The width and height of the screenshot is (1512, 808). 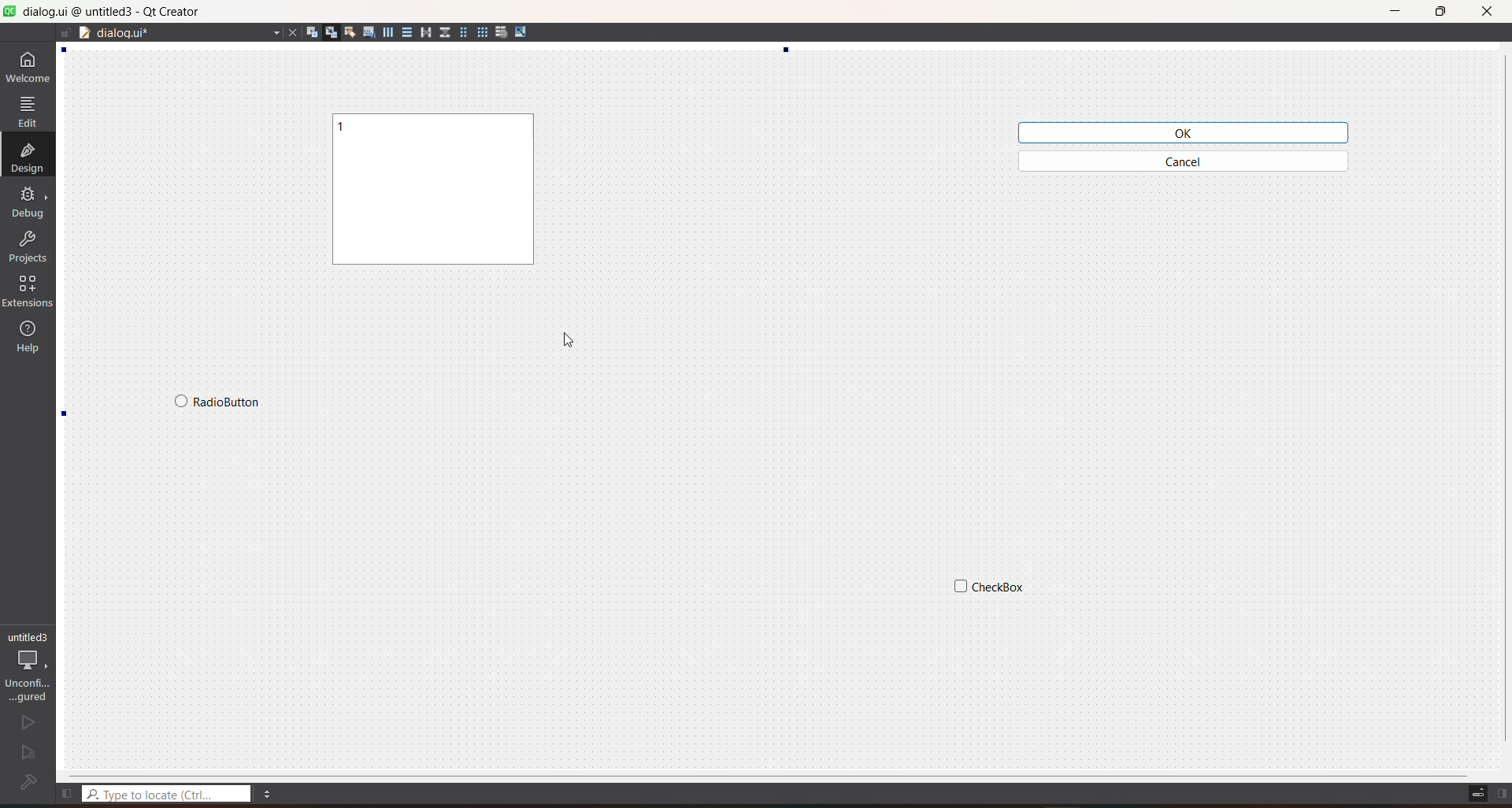 I want to click on edit, so click(x=28, y=110).